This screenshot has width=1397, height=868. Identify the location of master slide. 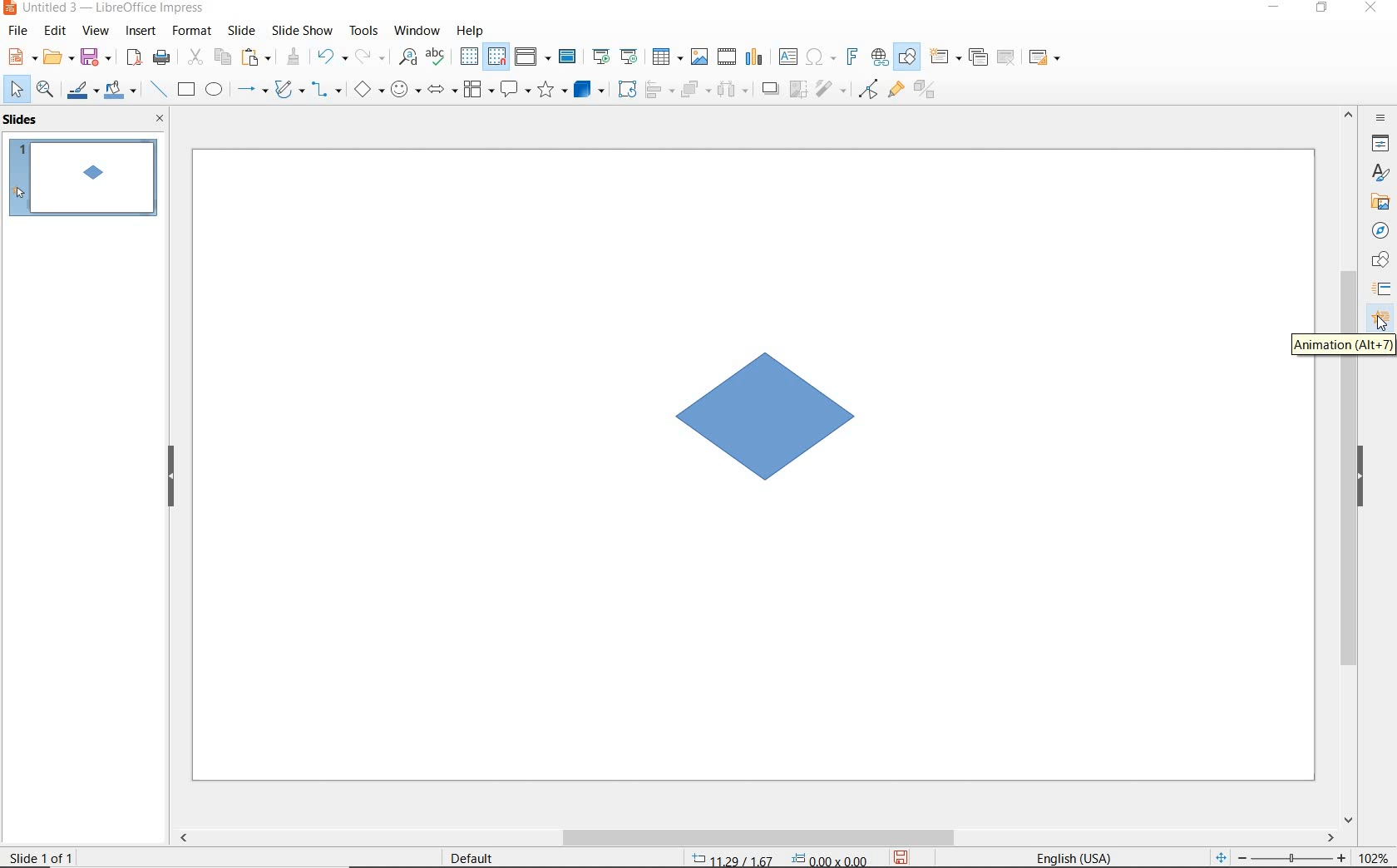
(570, 57).